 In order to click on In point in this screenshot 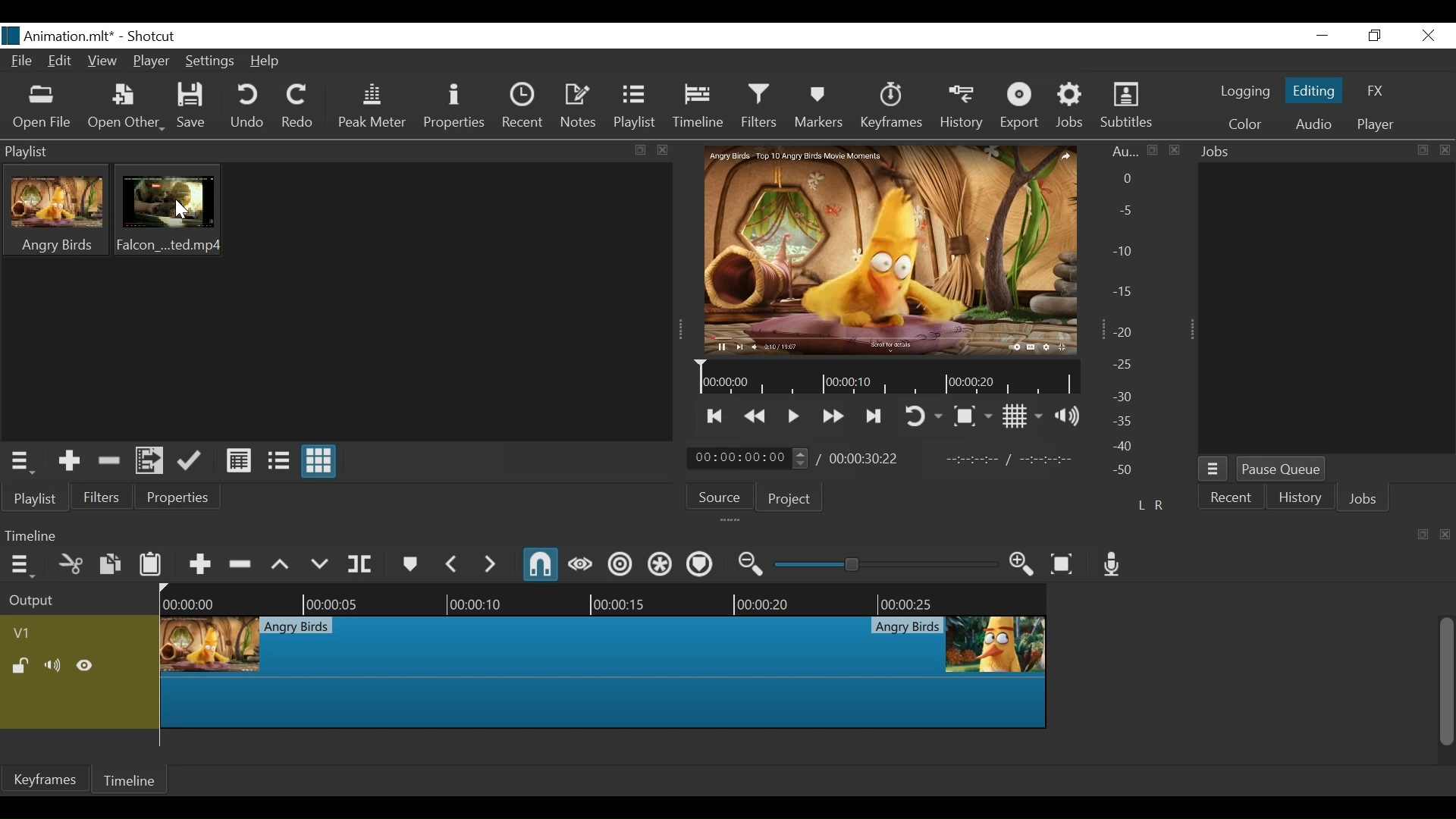, I will do `click(1012, 460)`.